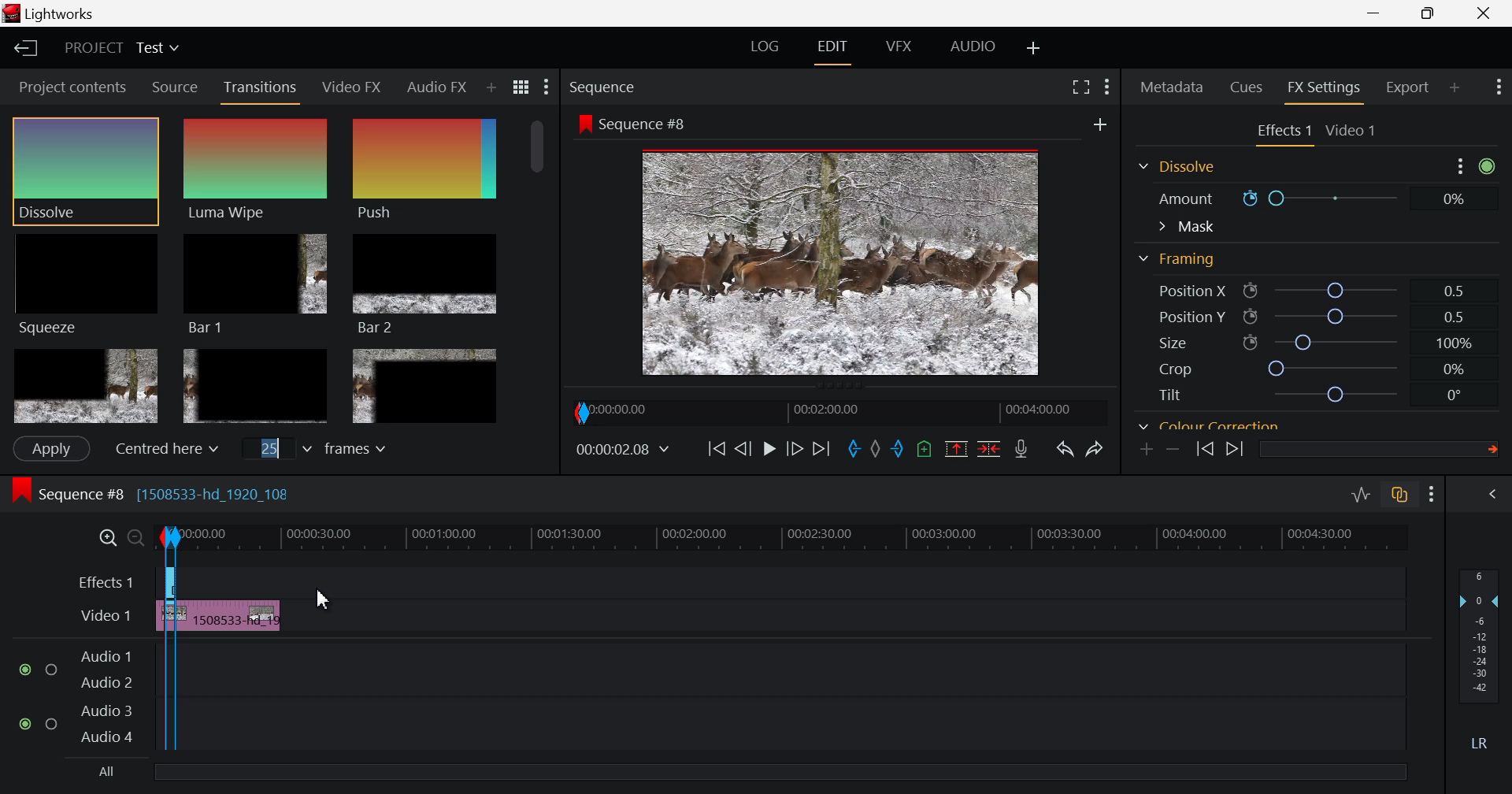  Describe the element at coordinates (632, 124) in the screenshot. I see `Sequence #8` at that location.